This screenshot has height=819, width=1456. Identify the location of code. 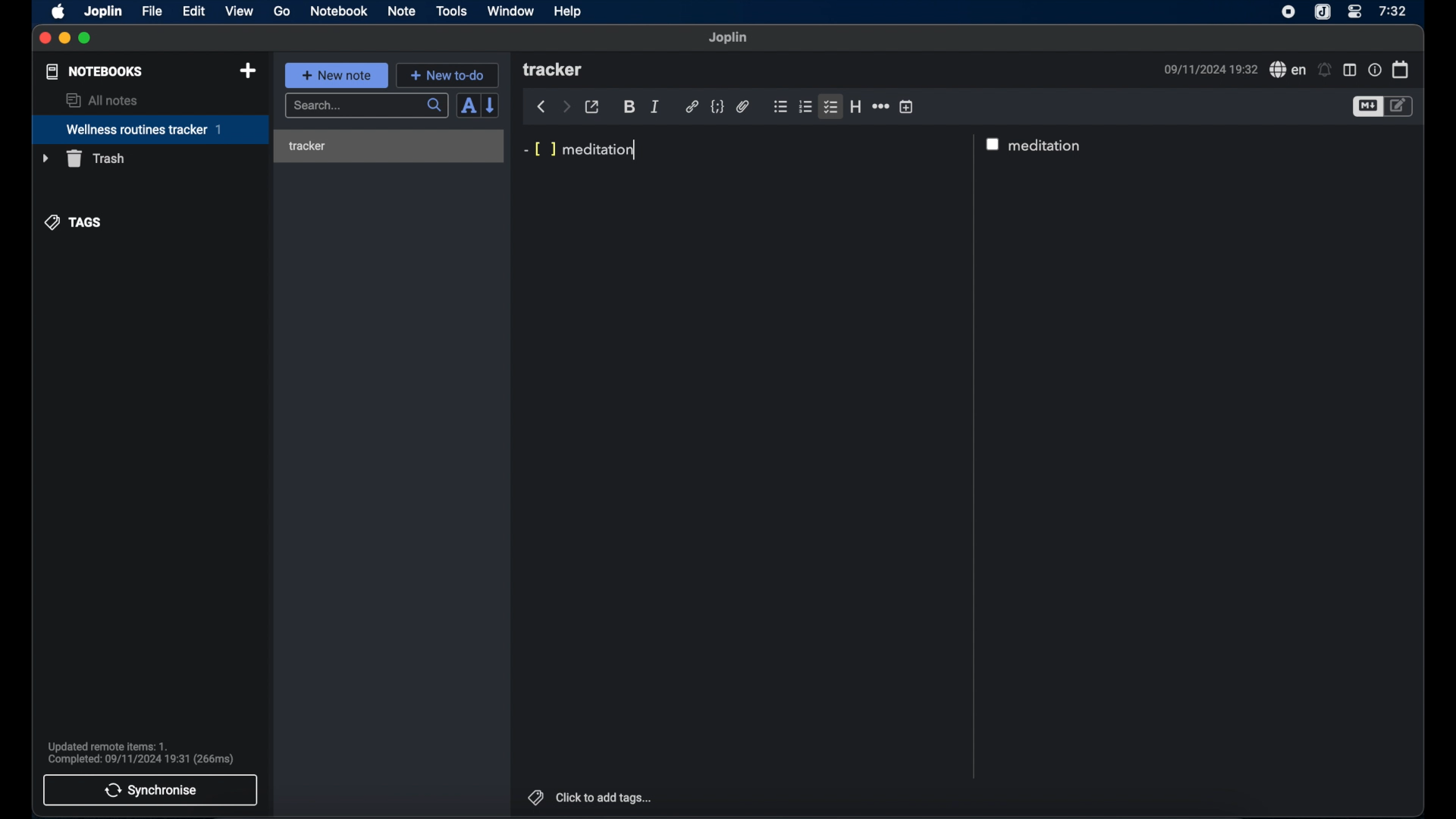
(717, 107).